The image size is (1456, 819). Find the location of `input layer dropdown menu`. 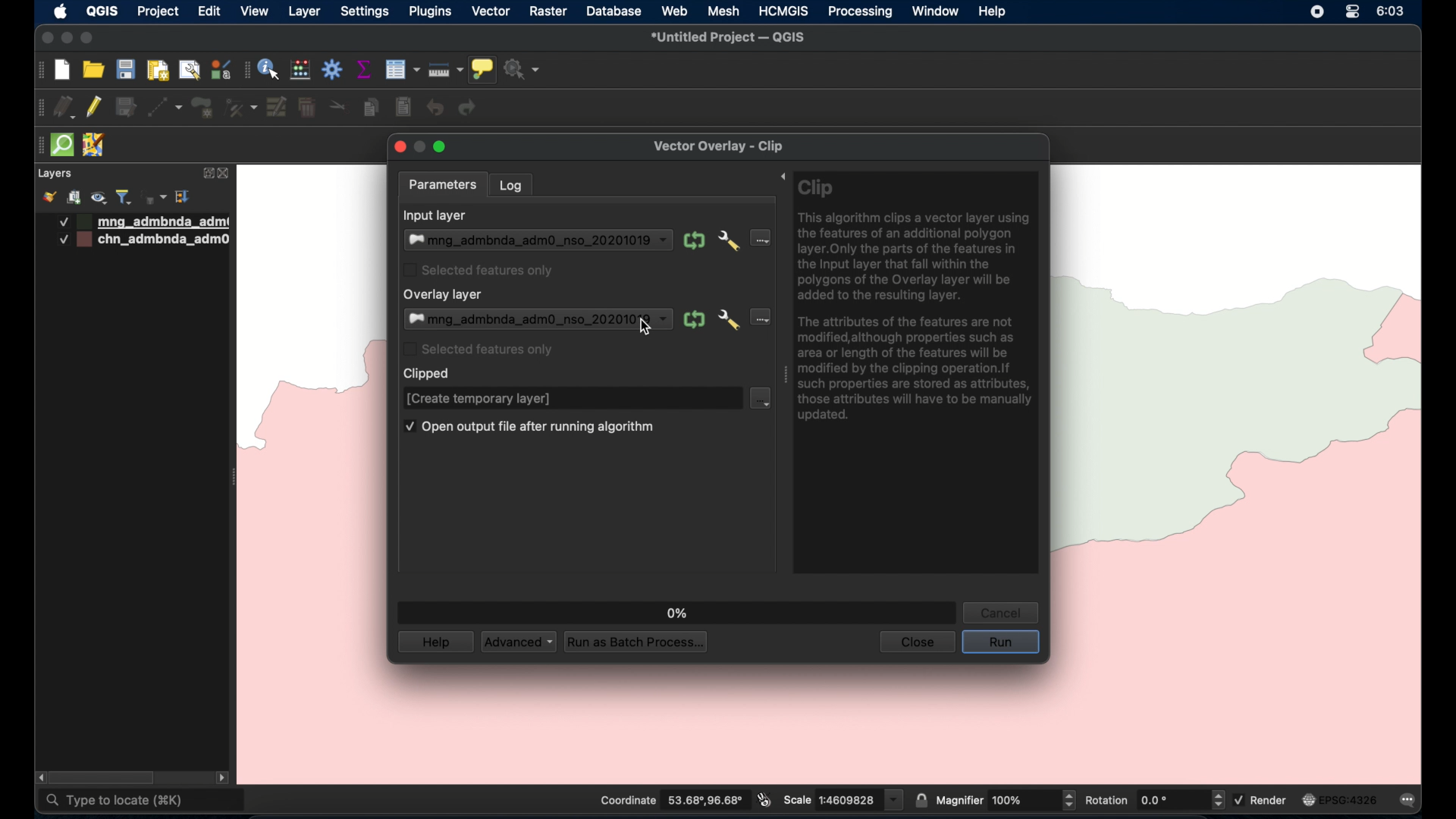

input layer dropdown menu is located at coordinates (761, 237).